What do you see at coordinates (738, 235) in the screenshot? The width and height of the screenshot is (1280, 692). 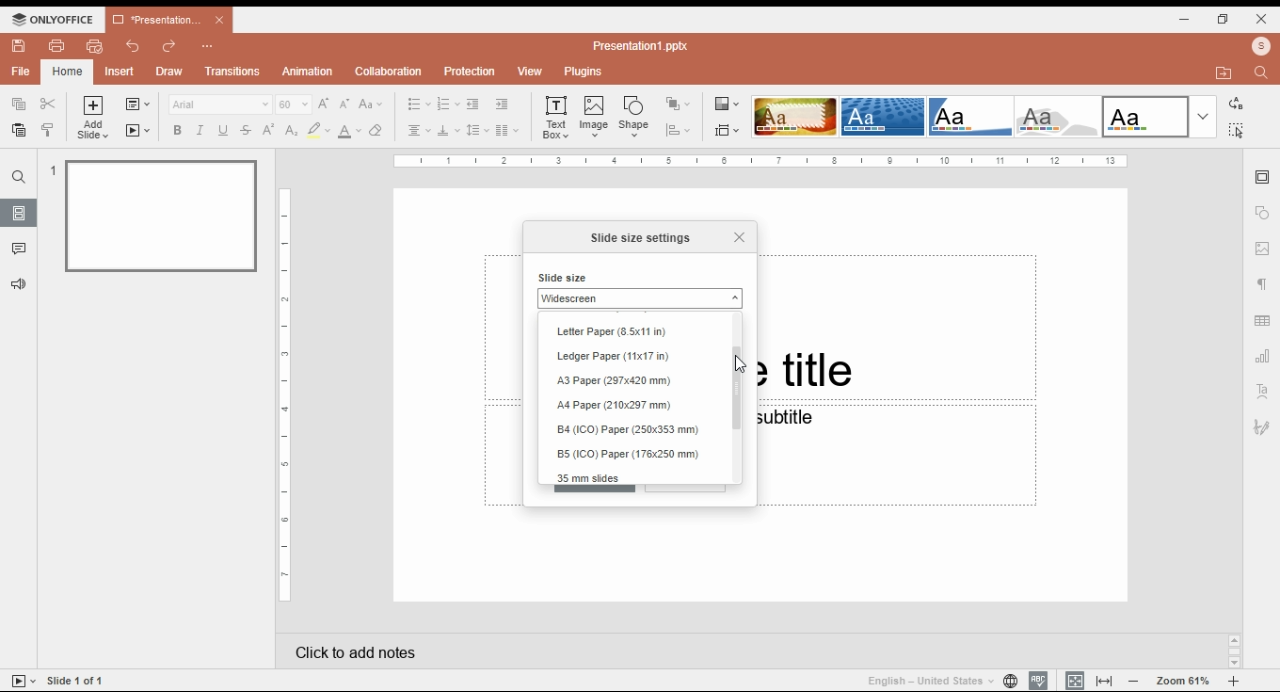 I see `Close` at bounding box center [738, 235].